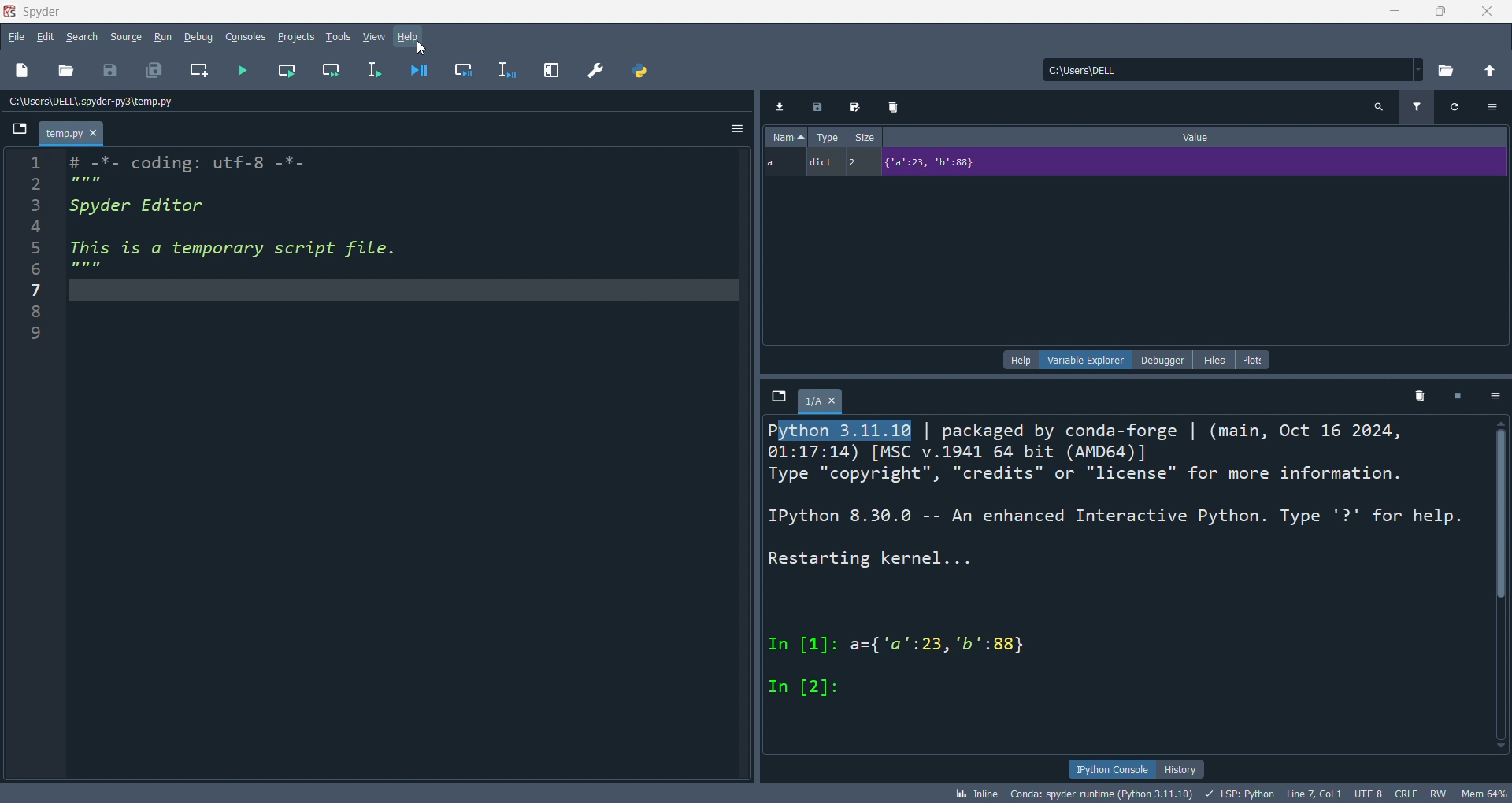 The image size is (1512, 803). Describe the element at coordinates (643, 69) in the screenshot. I see `python path manager` at that location.